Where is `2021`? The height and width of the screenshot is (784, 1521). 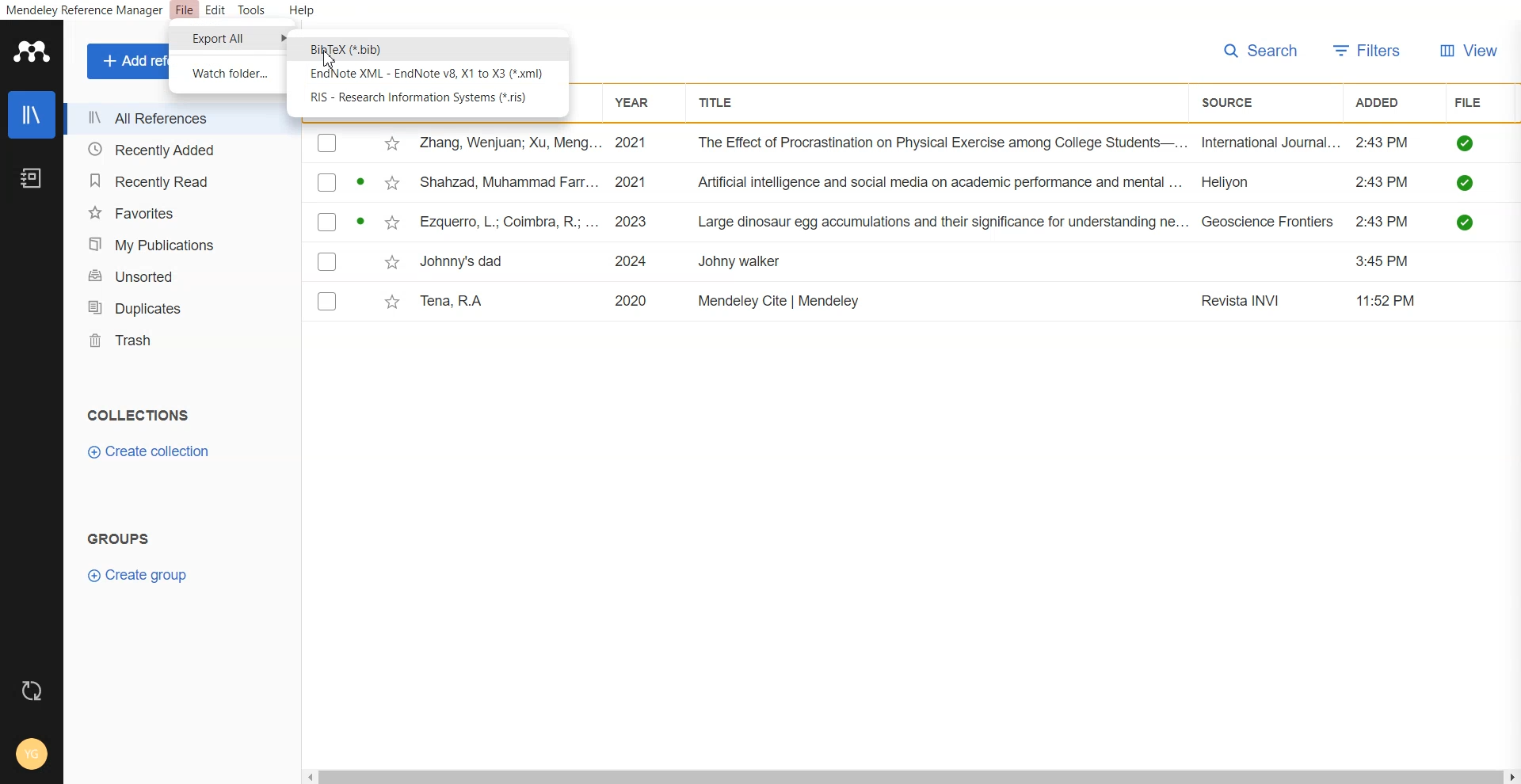
2021 is located at coordinates (632, 143).